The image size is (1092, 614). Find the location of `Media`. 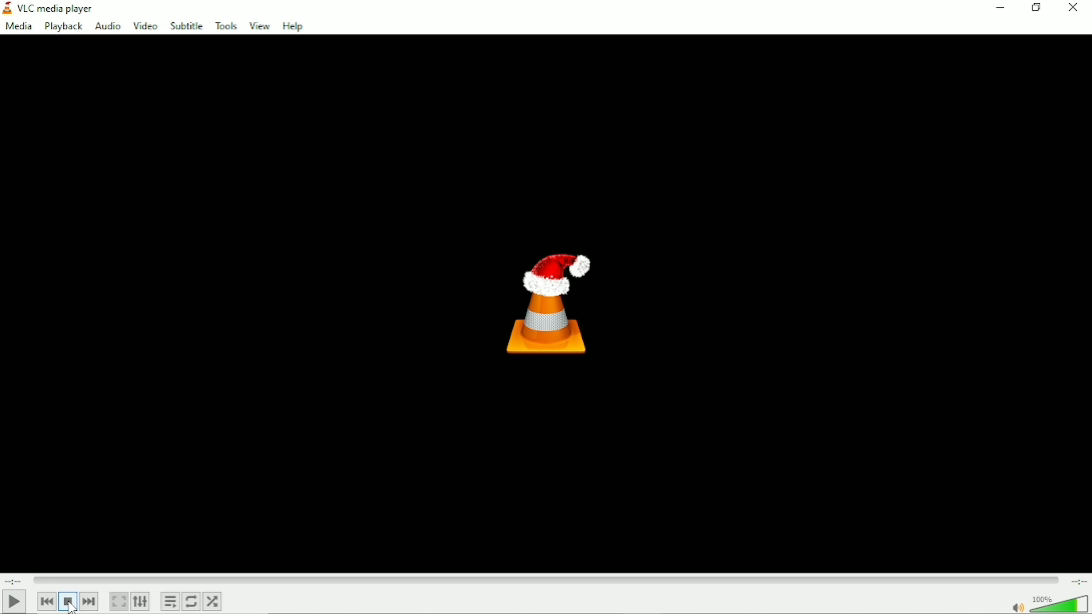

Media is located at coordinates (19, 27).